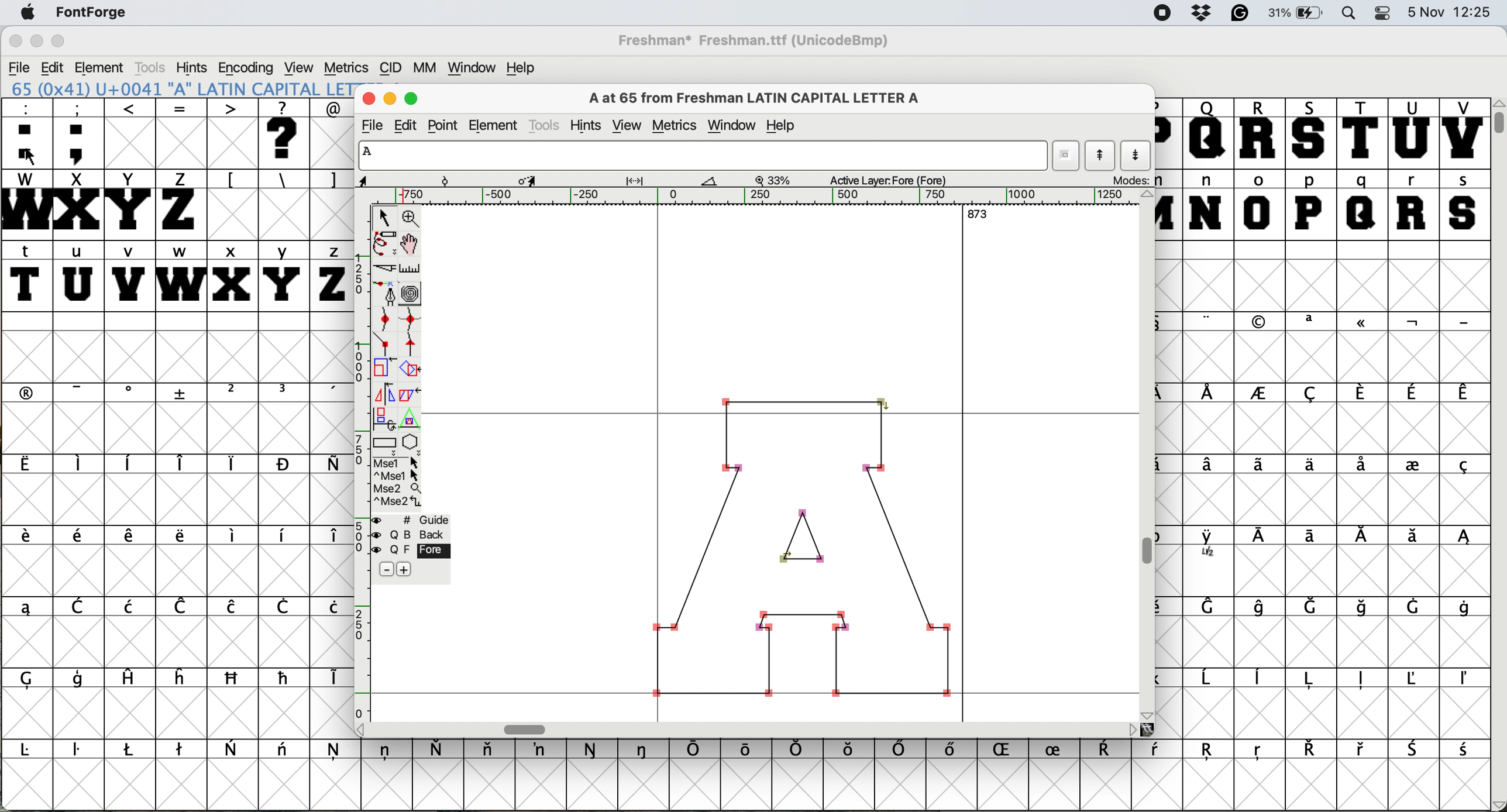 Image resolution: width=1507 pixels, height=812 pixels. What do you see at coordinates (232, 180) in the screenshot?
I see `[` at bounding box center [232, 180].